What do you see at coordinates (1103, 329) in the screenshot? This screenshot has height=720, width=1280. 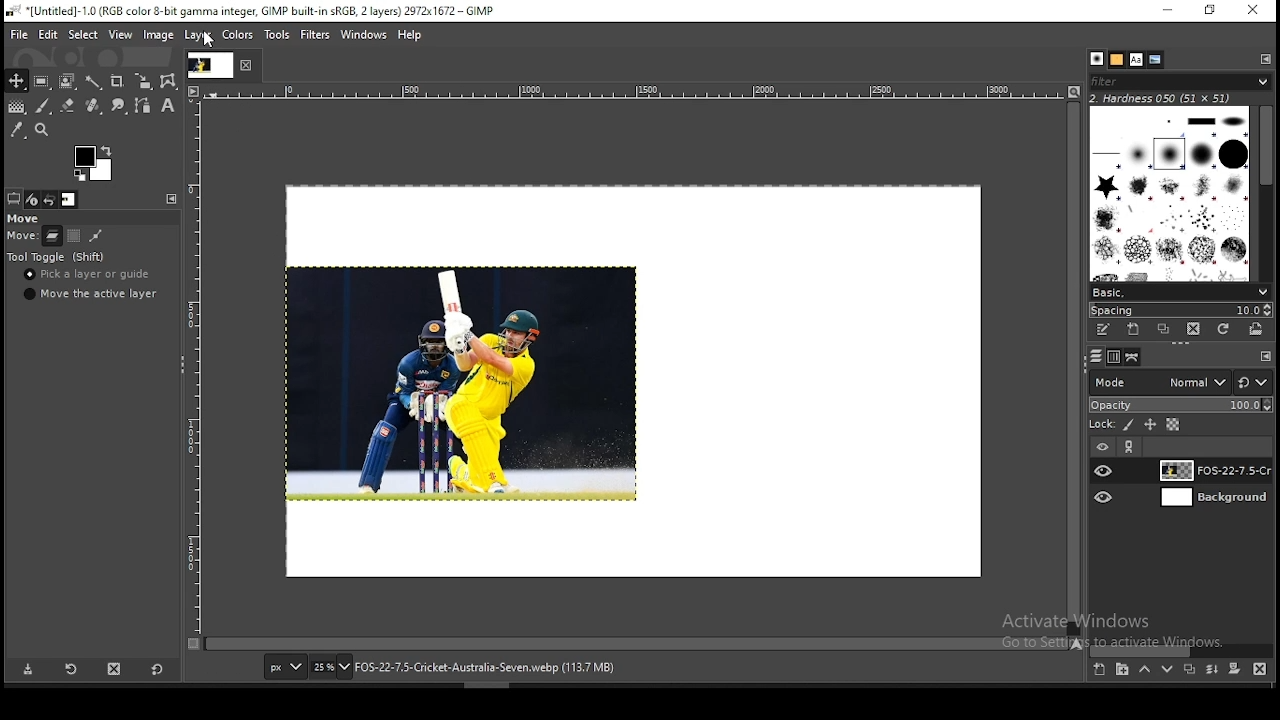 I see `edit this brush` at bounding box center [1103, 329].